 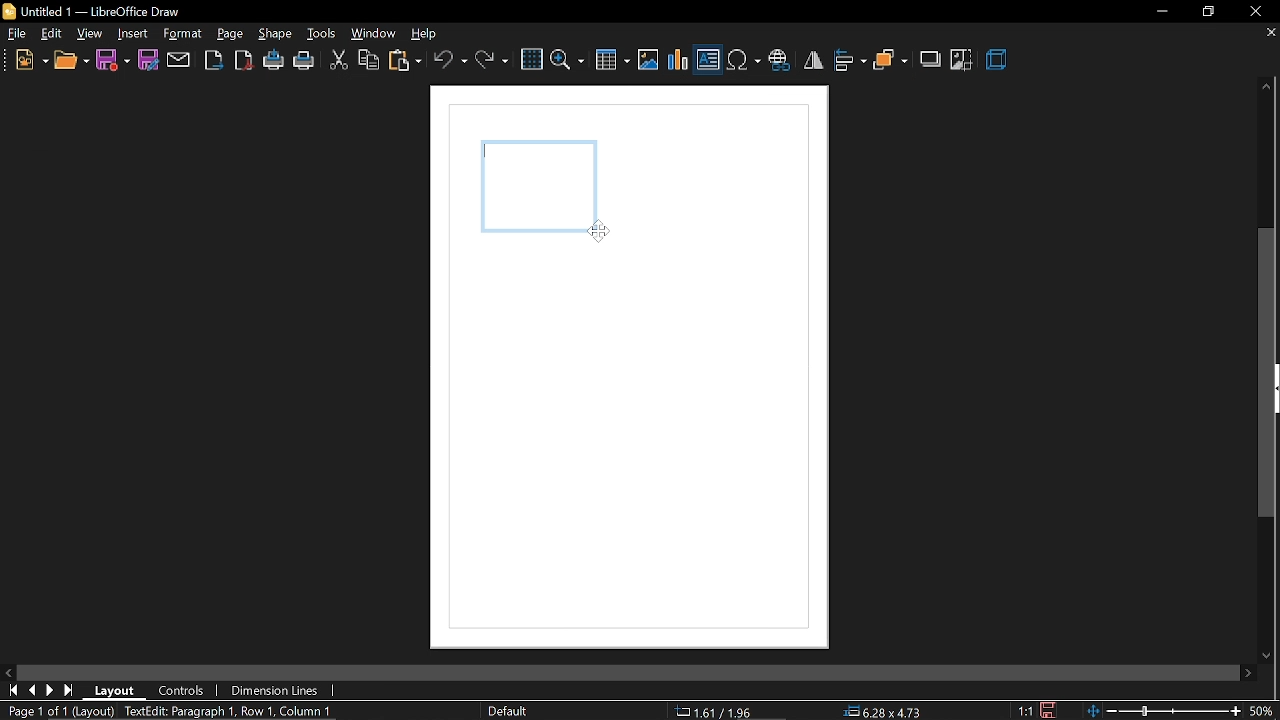 I want to click on current page, so click(x=58, y=711).